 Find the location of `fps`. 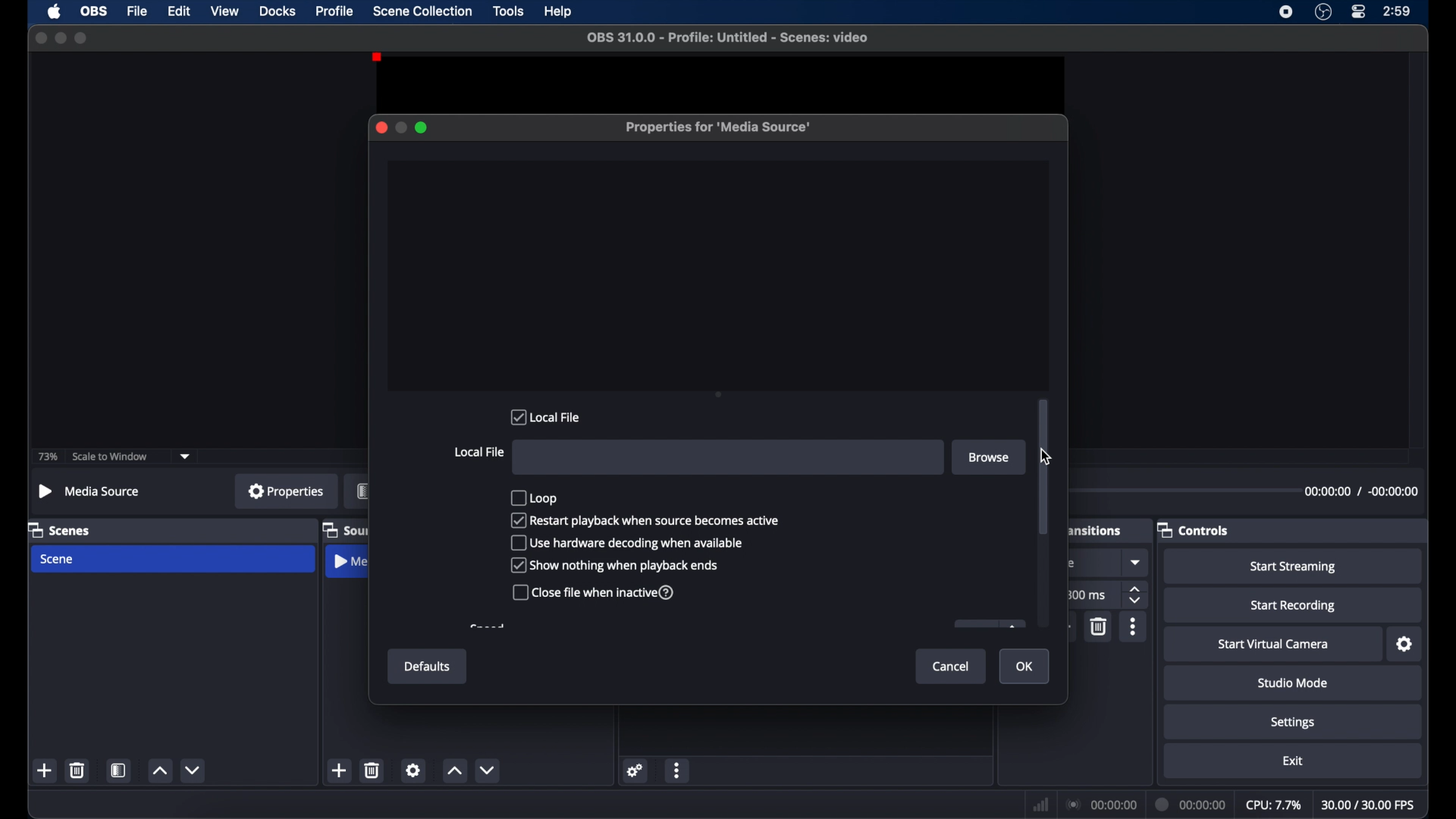

fps is located at coordinates (1369, 805).